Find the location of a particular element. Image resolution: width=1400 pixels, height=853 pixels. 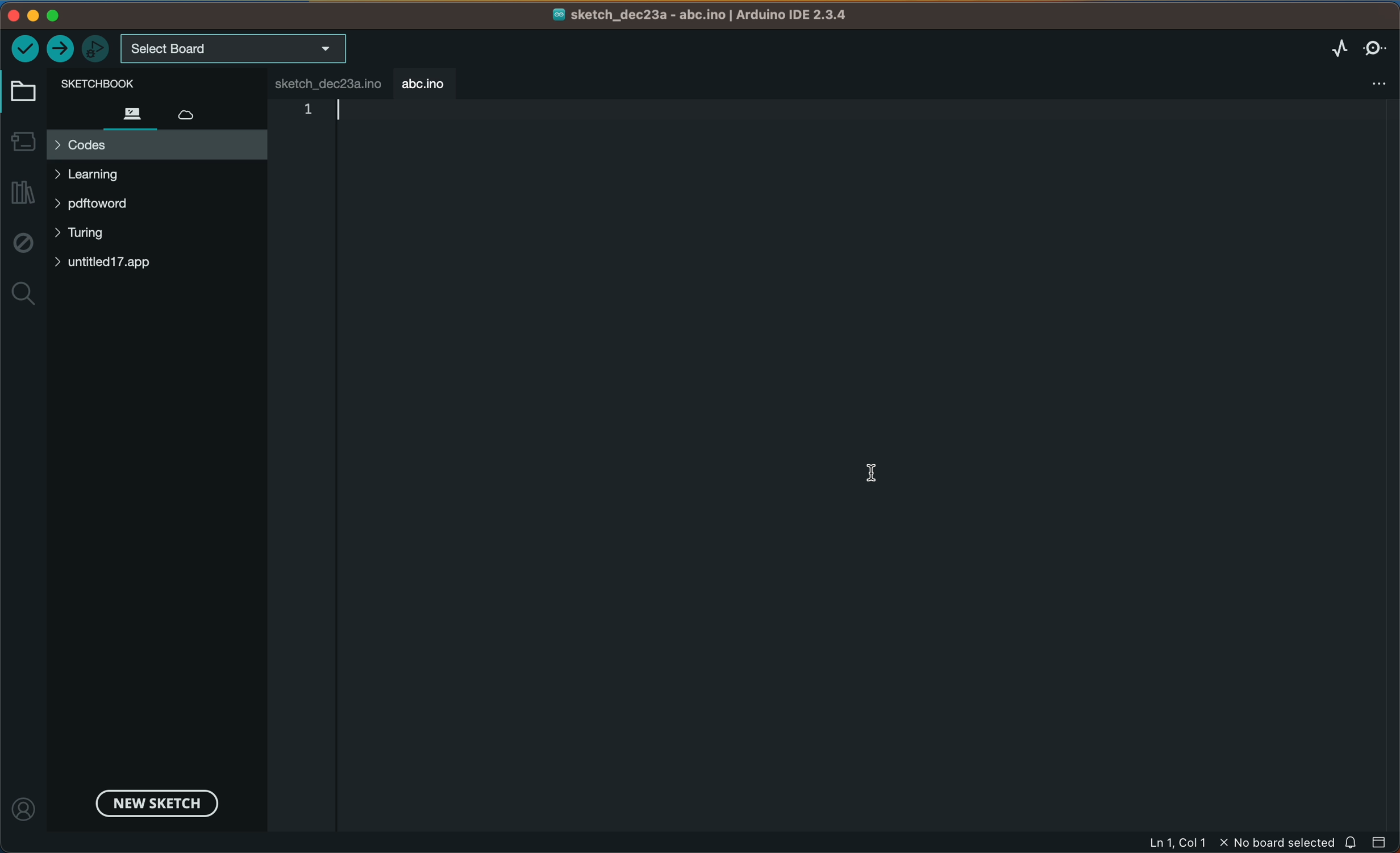

file tab is located at coordinates (332, 82).